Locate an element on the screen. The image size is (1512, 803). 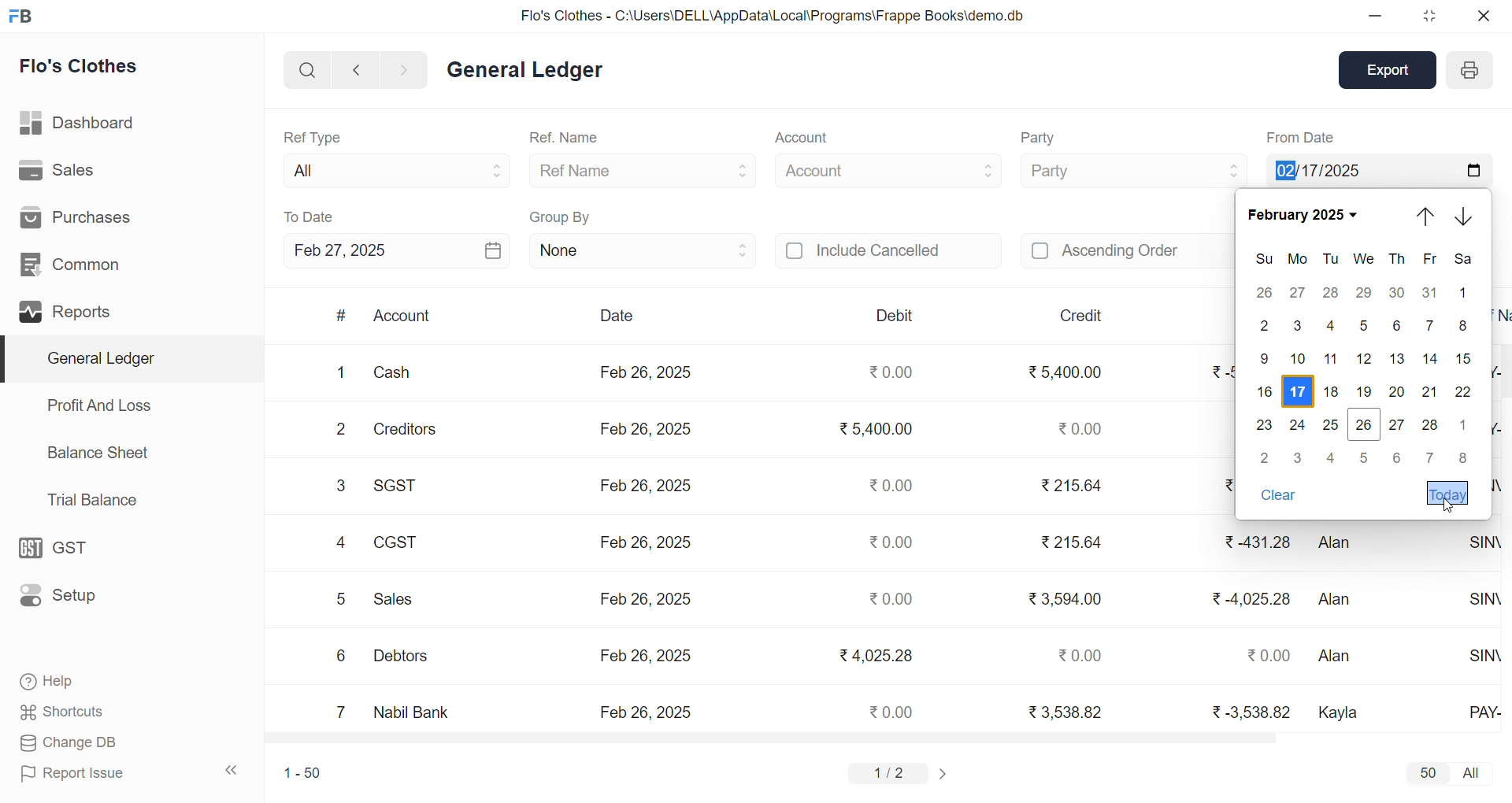
24 is located at coordinates (1301, 426).